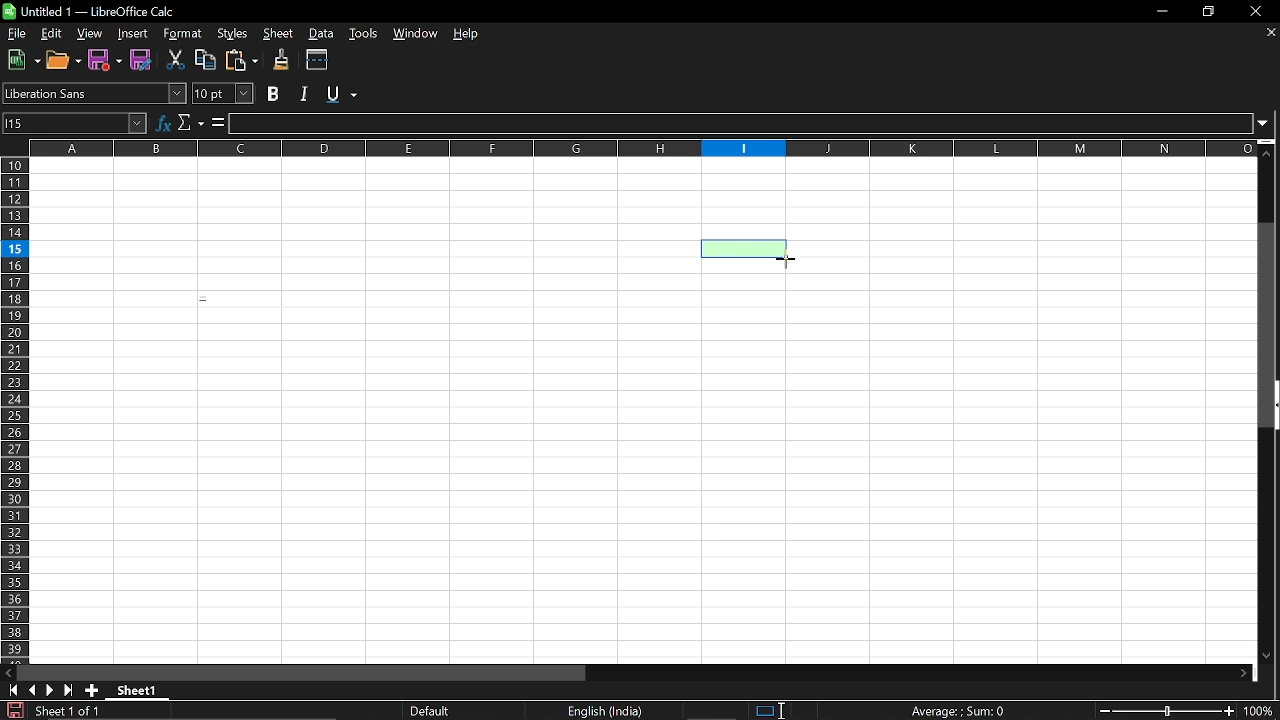 The width and height of the screenshot is (1280, 720). I want to click on Current sheet, so click(67, 712).